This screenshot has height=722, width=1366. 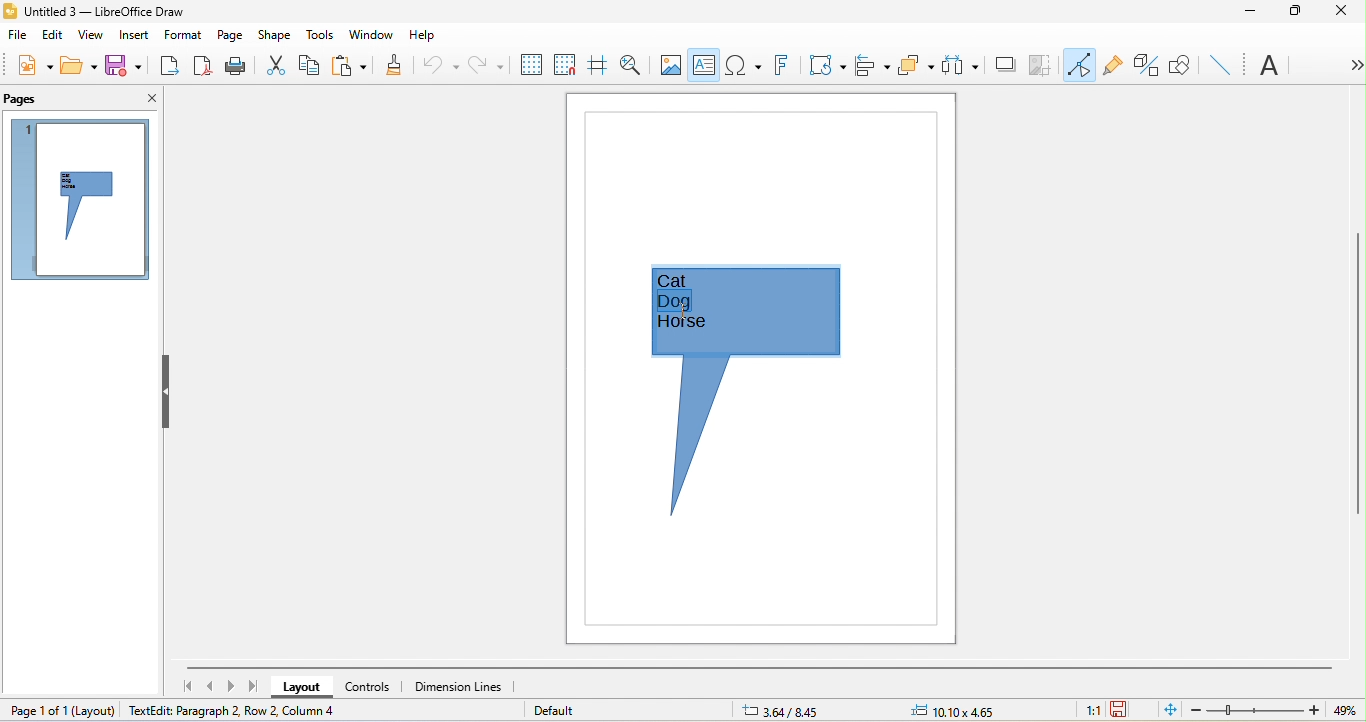 I want to click on minimize, so click(x=1250, y=12).